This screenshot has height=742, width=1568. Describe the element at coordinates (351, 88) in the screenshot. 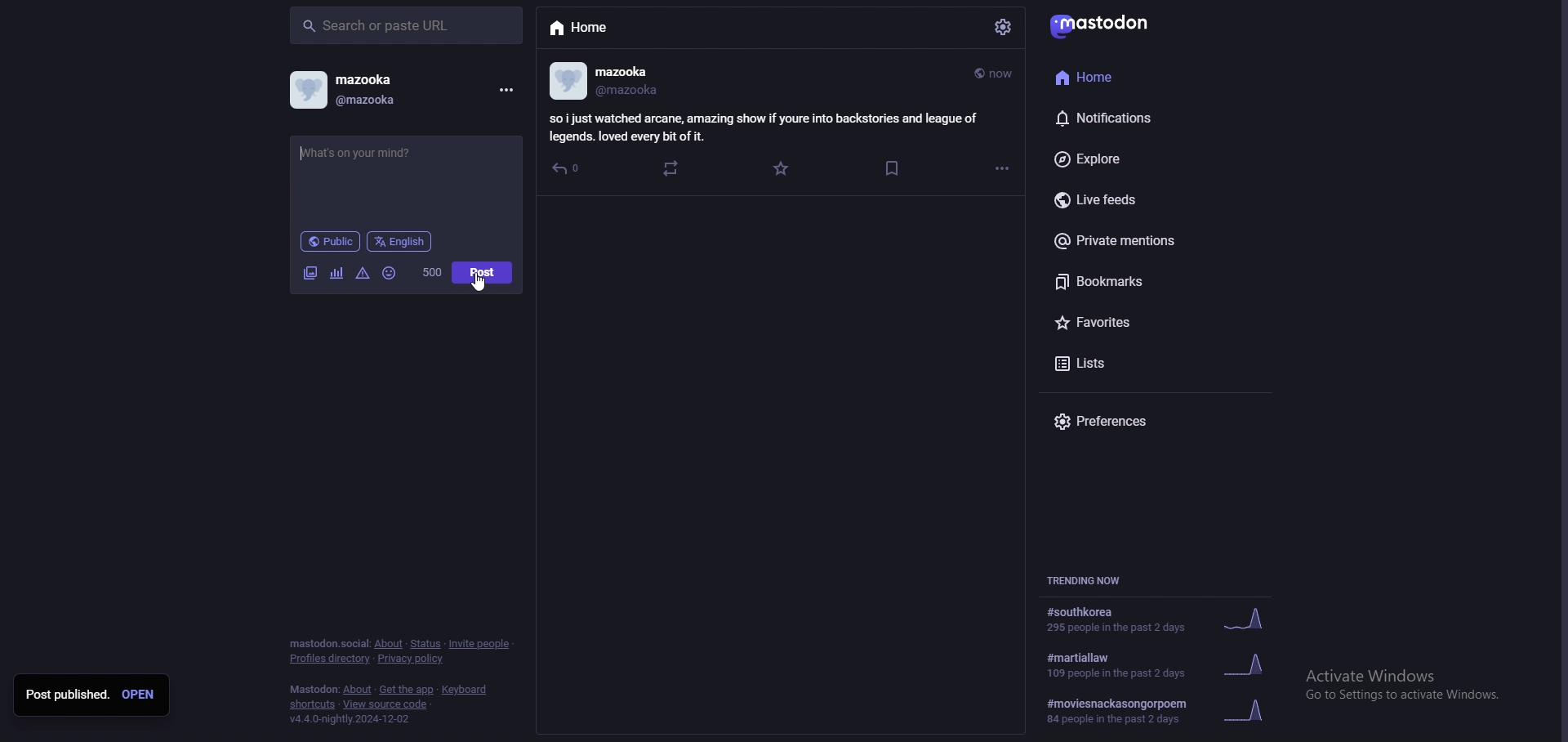

I see `profile` at that location.